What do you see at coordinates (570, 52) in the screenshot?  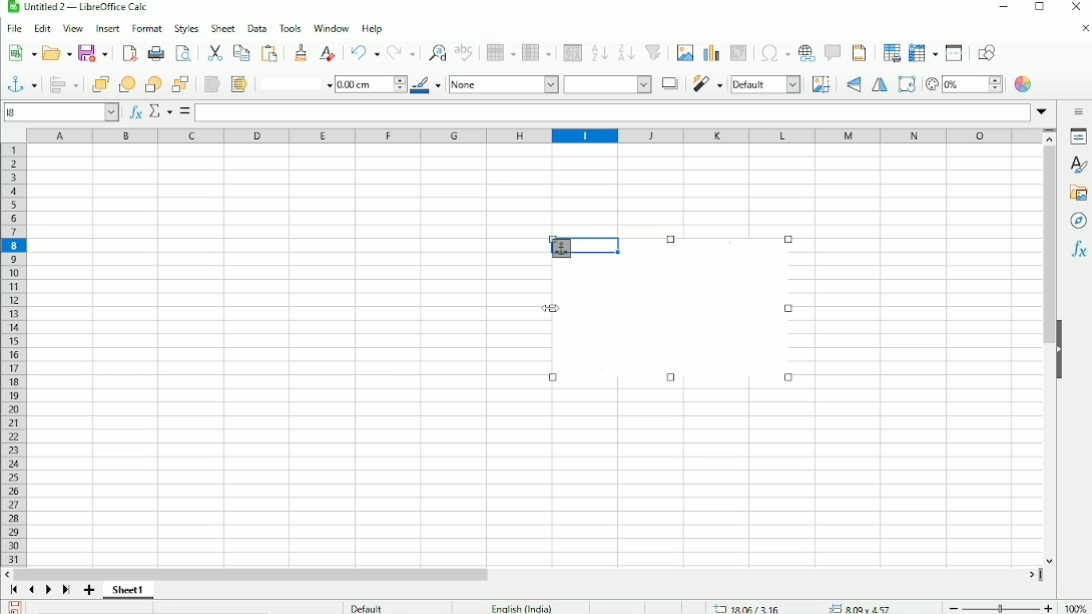 I see `Sort` at bounding box center [570, 52].